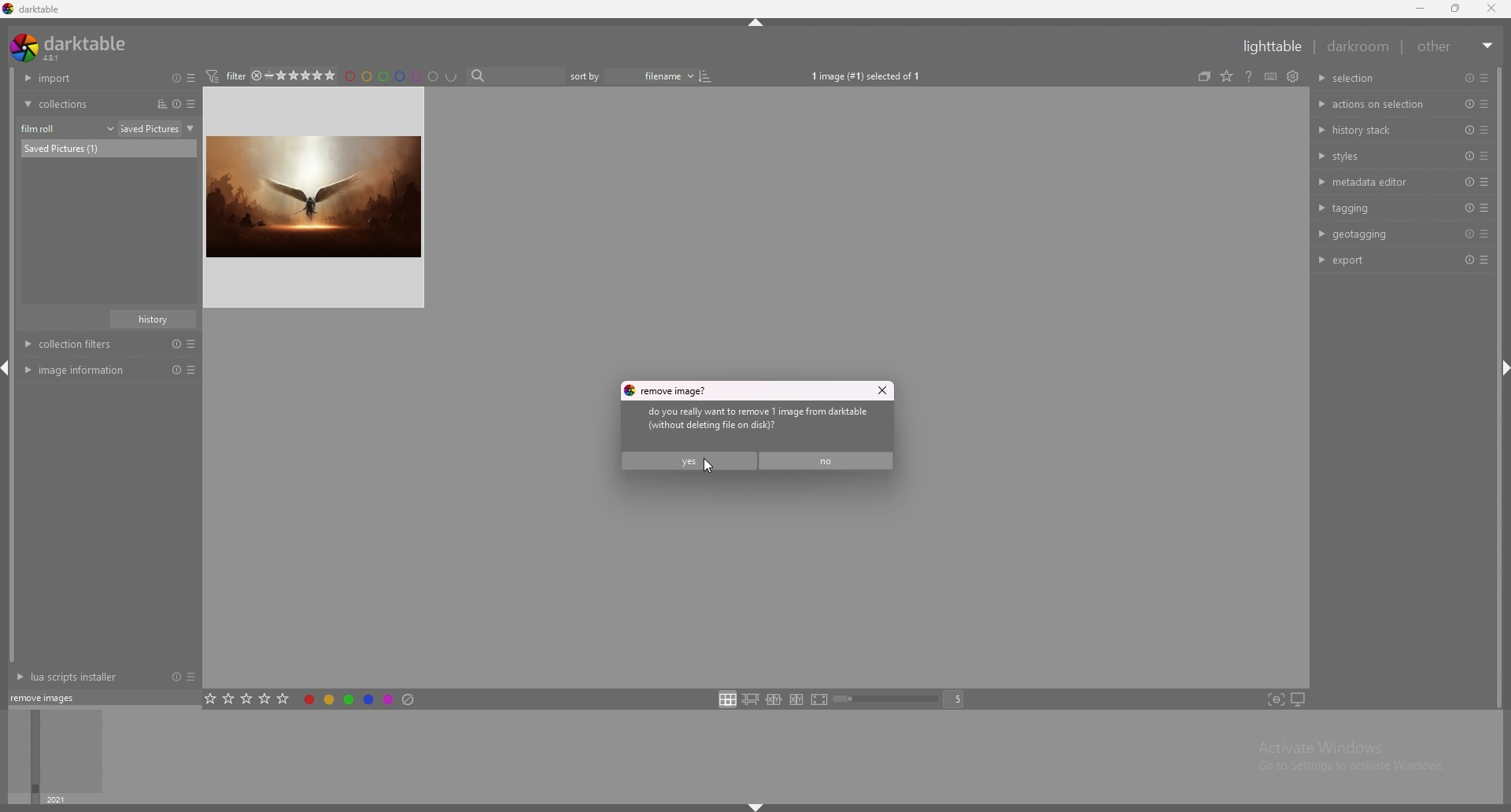 This screenshot has height=812, width=1511. What do you see at coordinates (1376, 182) in the screenshot?
I see `metadata editor` at bounding box center [1376, 182].